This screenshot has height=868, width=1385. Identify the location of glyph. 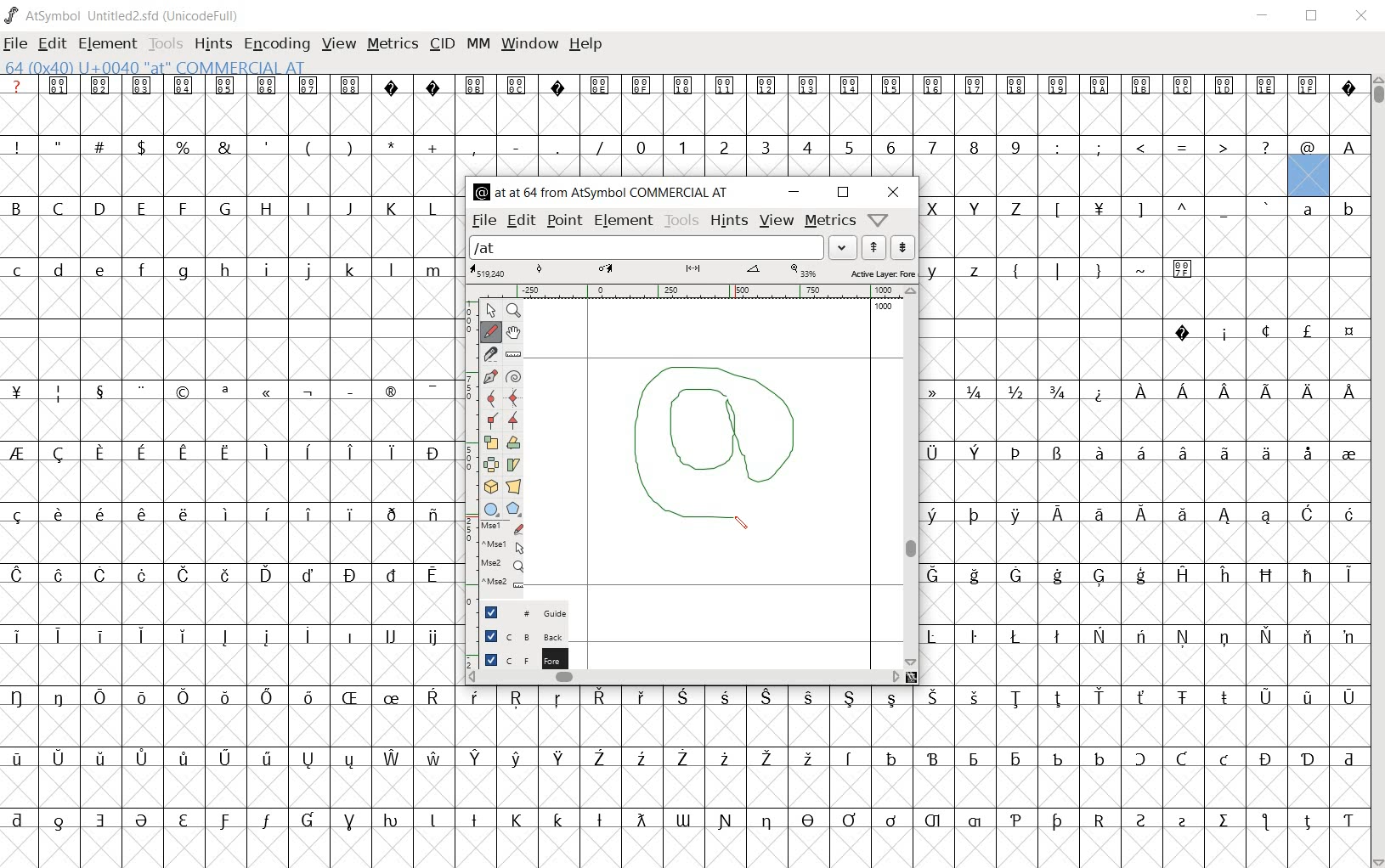
(1145, 469).